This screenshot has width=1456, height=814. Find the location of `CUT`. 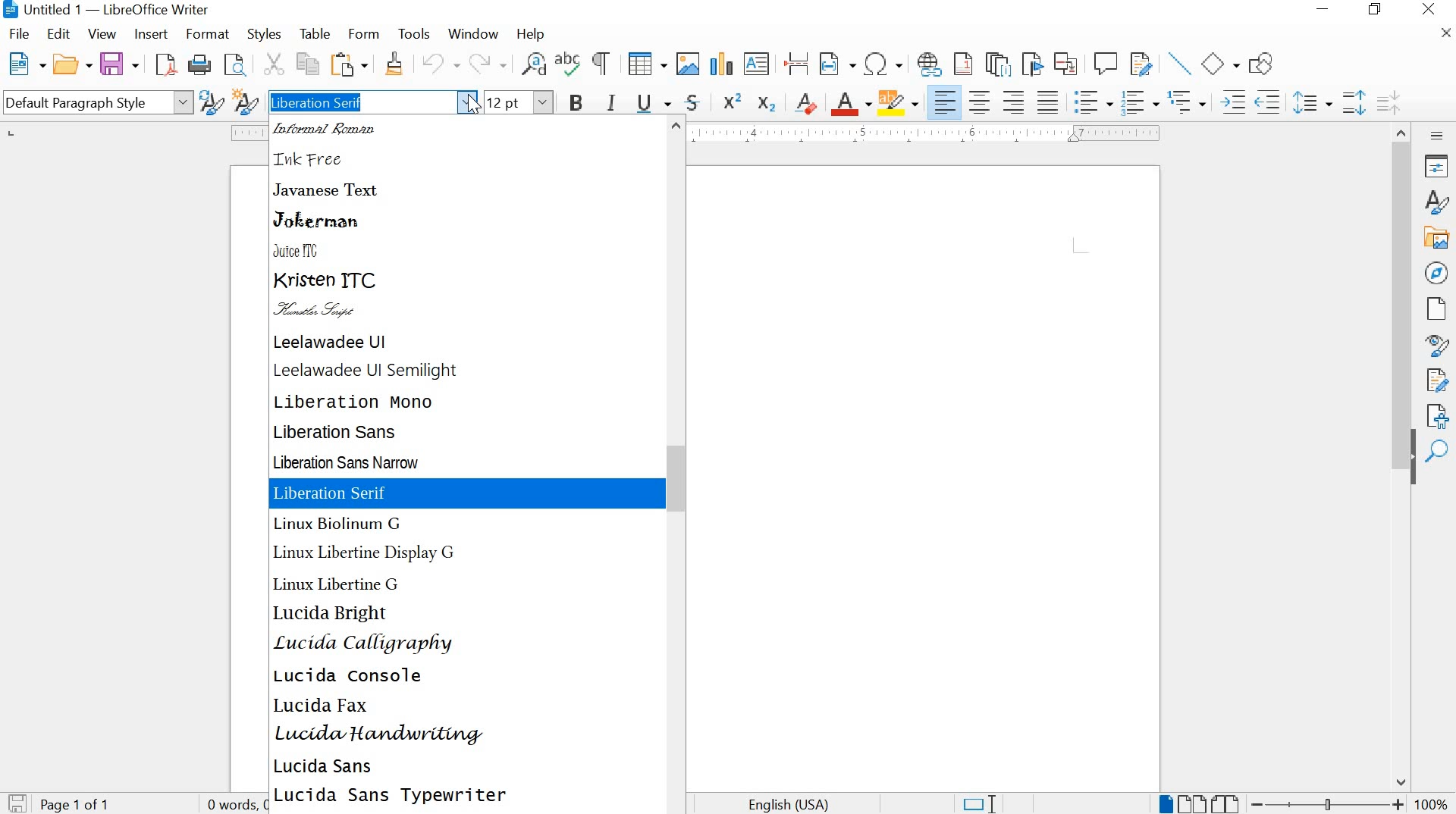

CUT is located at coordinates (271, 64).